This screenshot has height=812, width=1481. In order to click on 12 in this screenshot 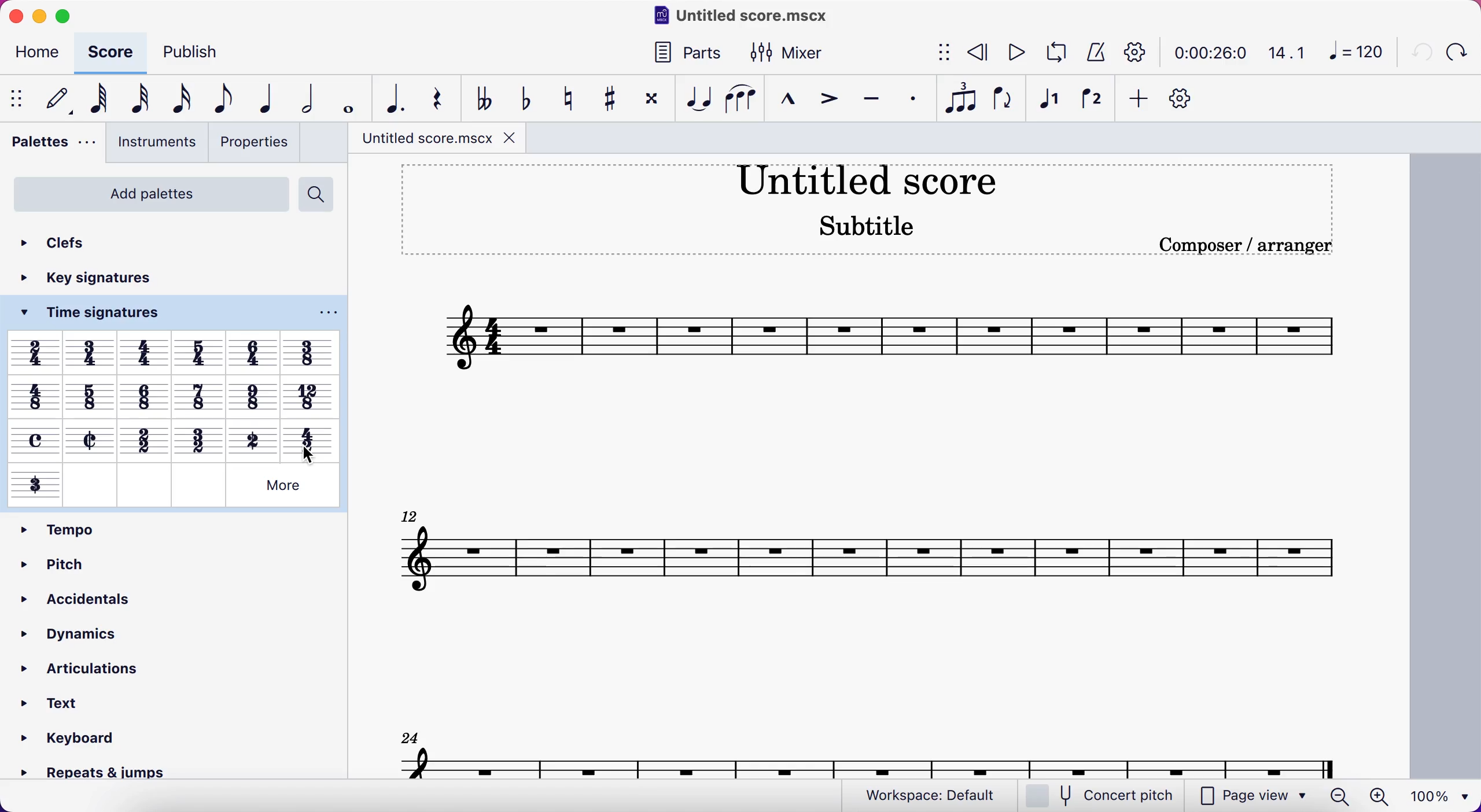, I will do `click(411, 515)`.